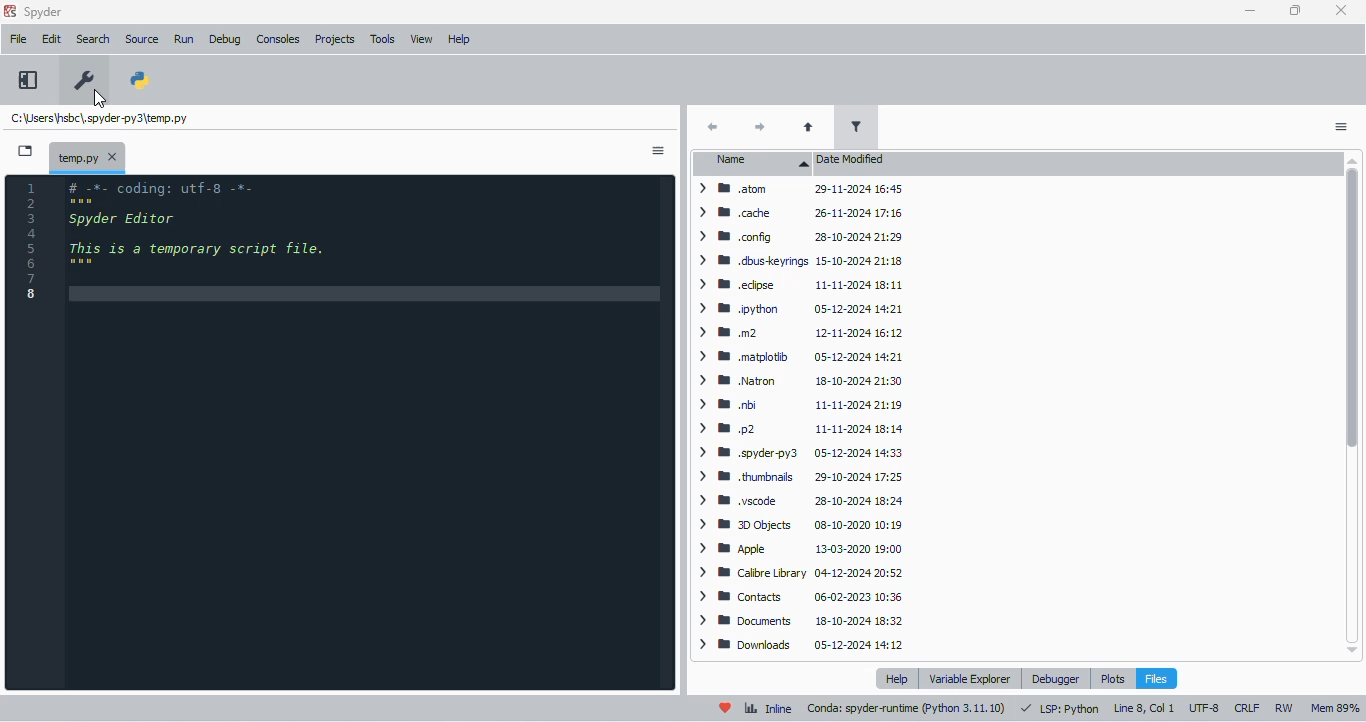 The height and width of the screenshot is (722, 1366). I want to click on close, so click(115, 156).